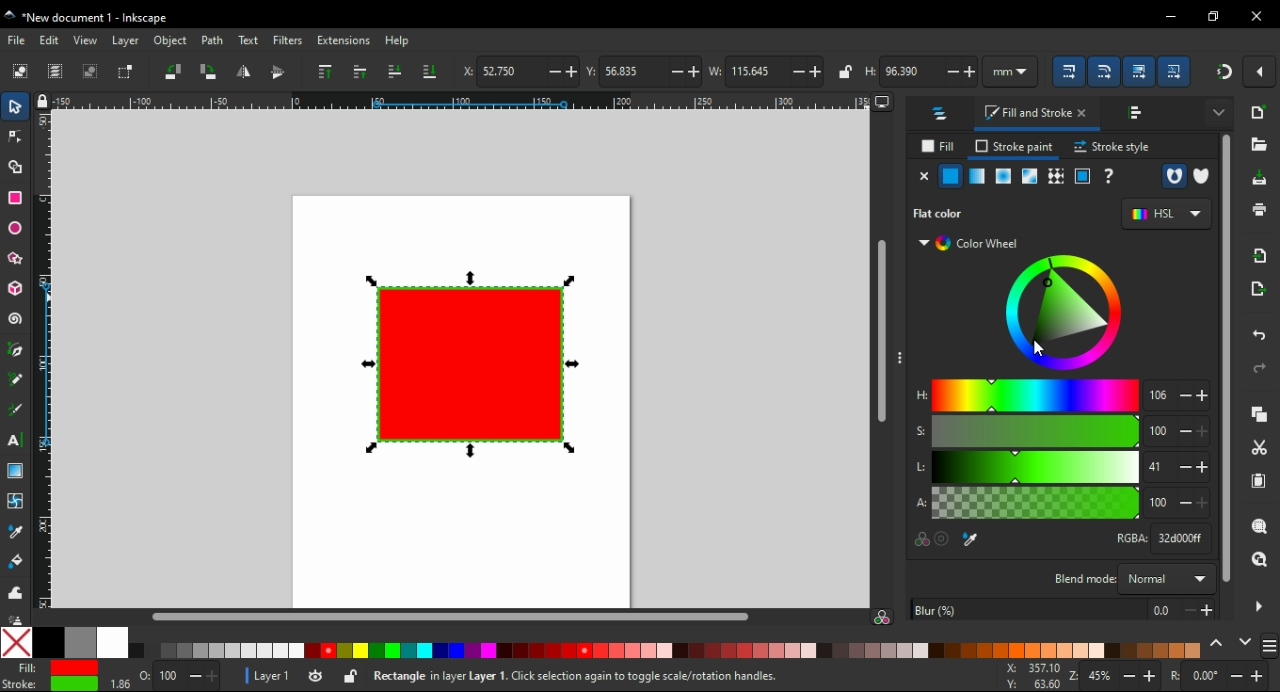 Image resolution: width=1280 pixels, height=692 pixels. I want to click on import, so click(1260, 256).